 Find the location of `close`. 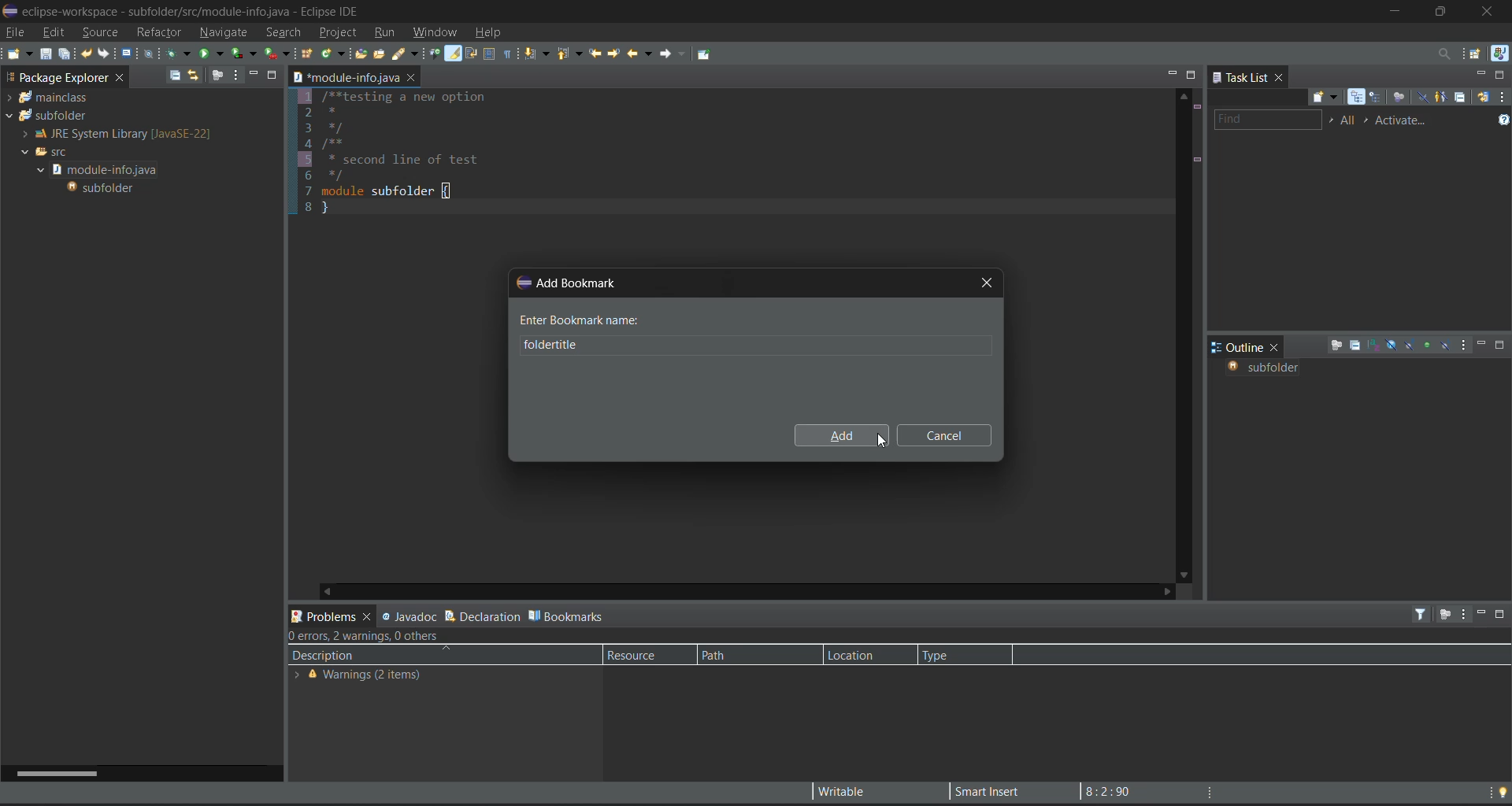

close is located at coordinates (1282, 79).